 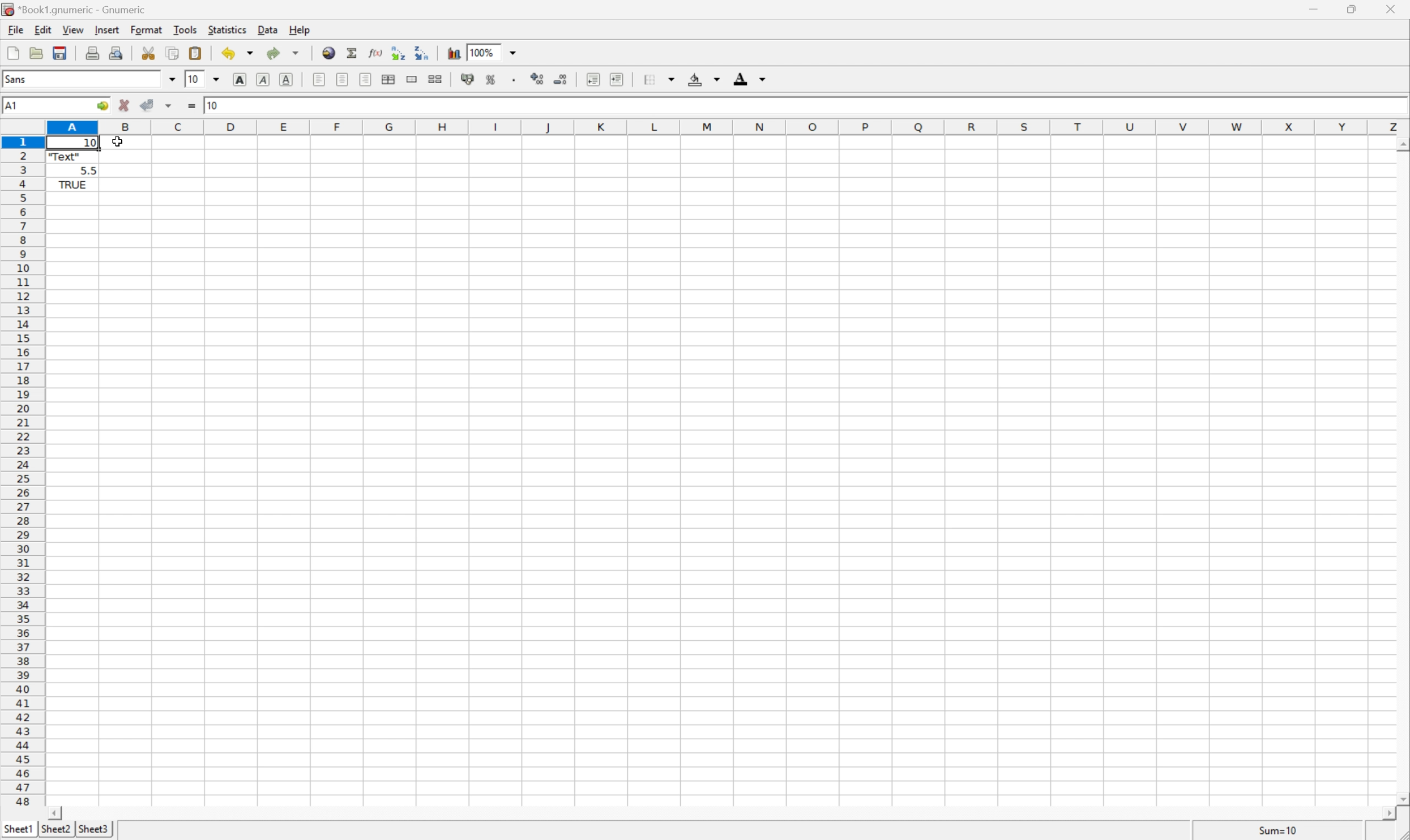 What do you see at coordinates (217, 79) in the screenshot?
I see `Drop Down` at bounding box center [217, 79].